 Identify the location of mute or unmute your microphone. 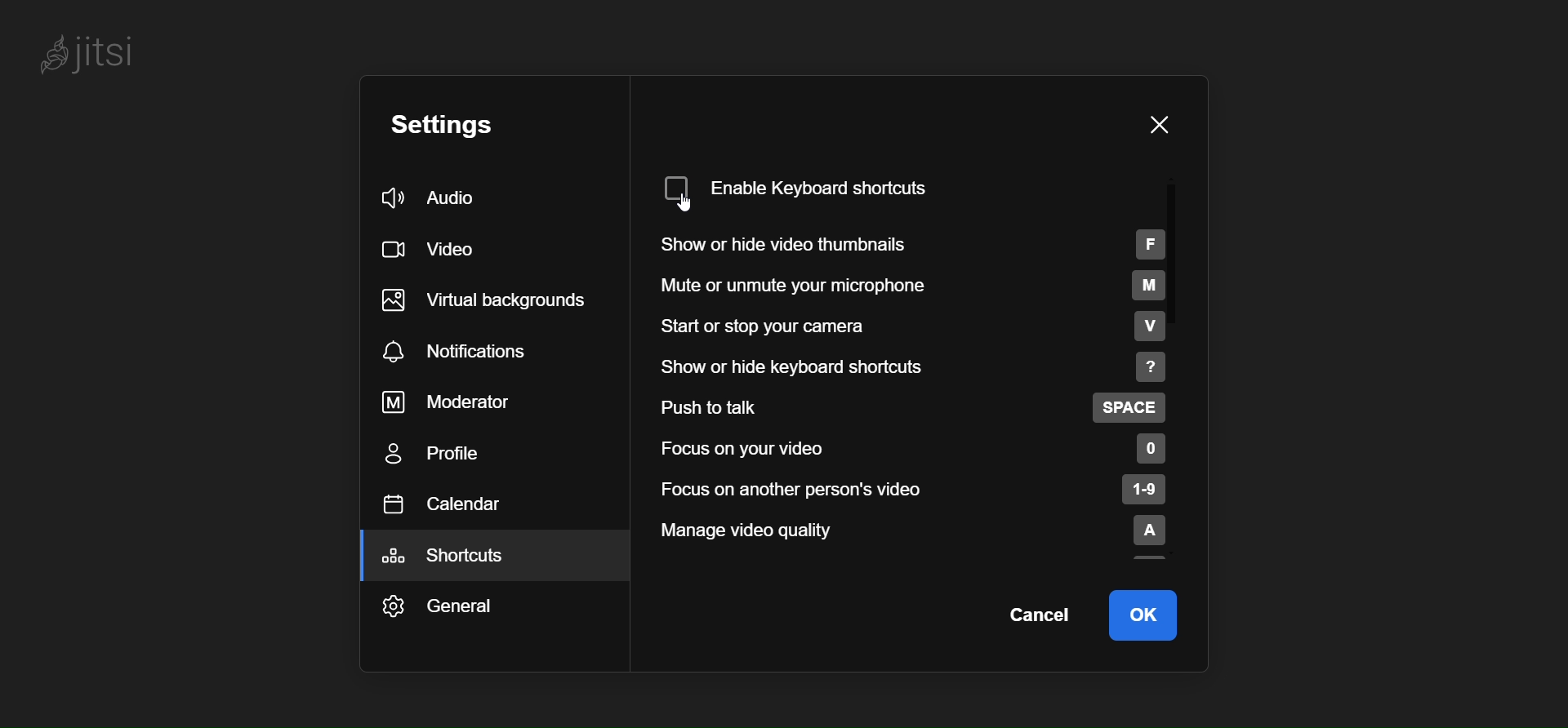
(917, 282).